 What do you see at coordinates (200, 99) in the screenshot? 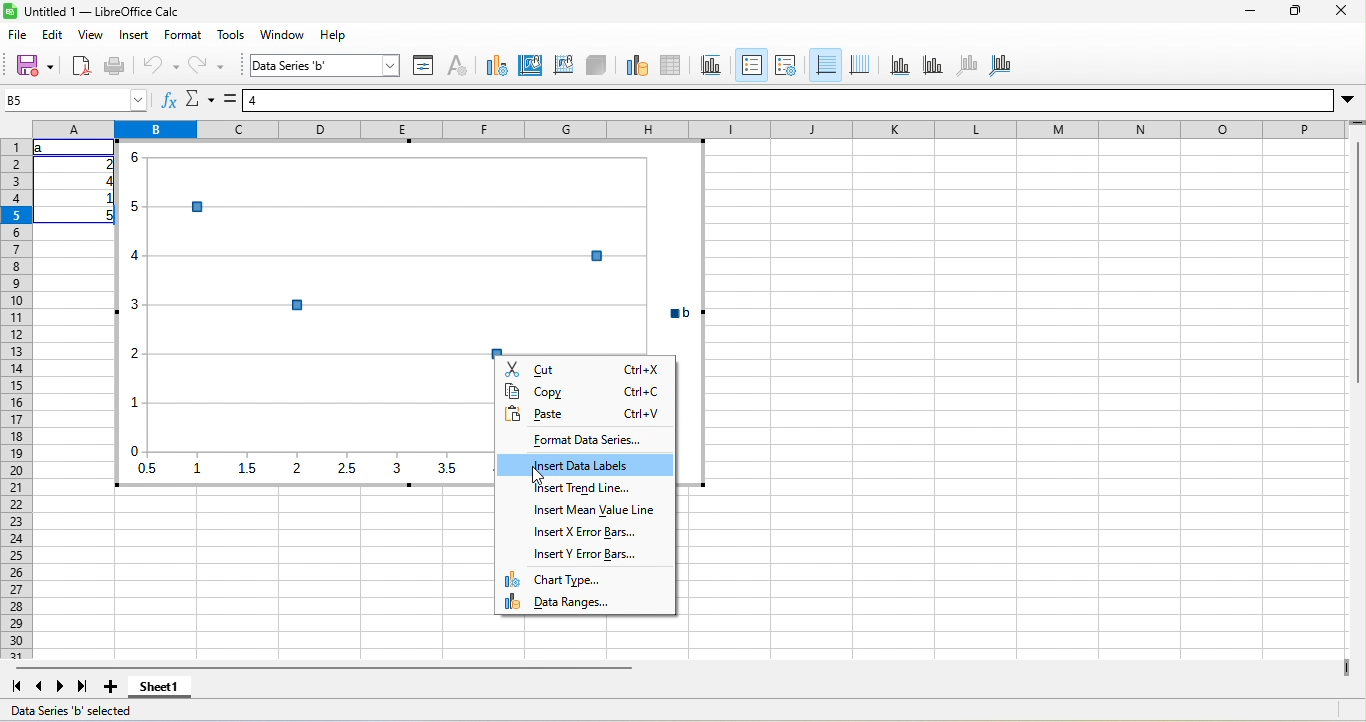
I see `select function` at bounding box center [200, 99].